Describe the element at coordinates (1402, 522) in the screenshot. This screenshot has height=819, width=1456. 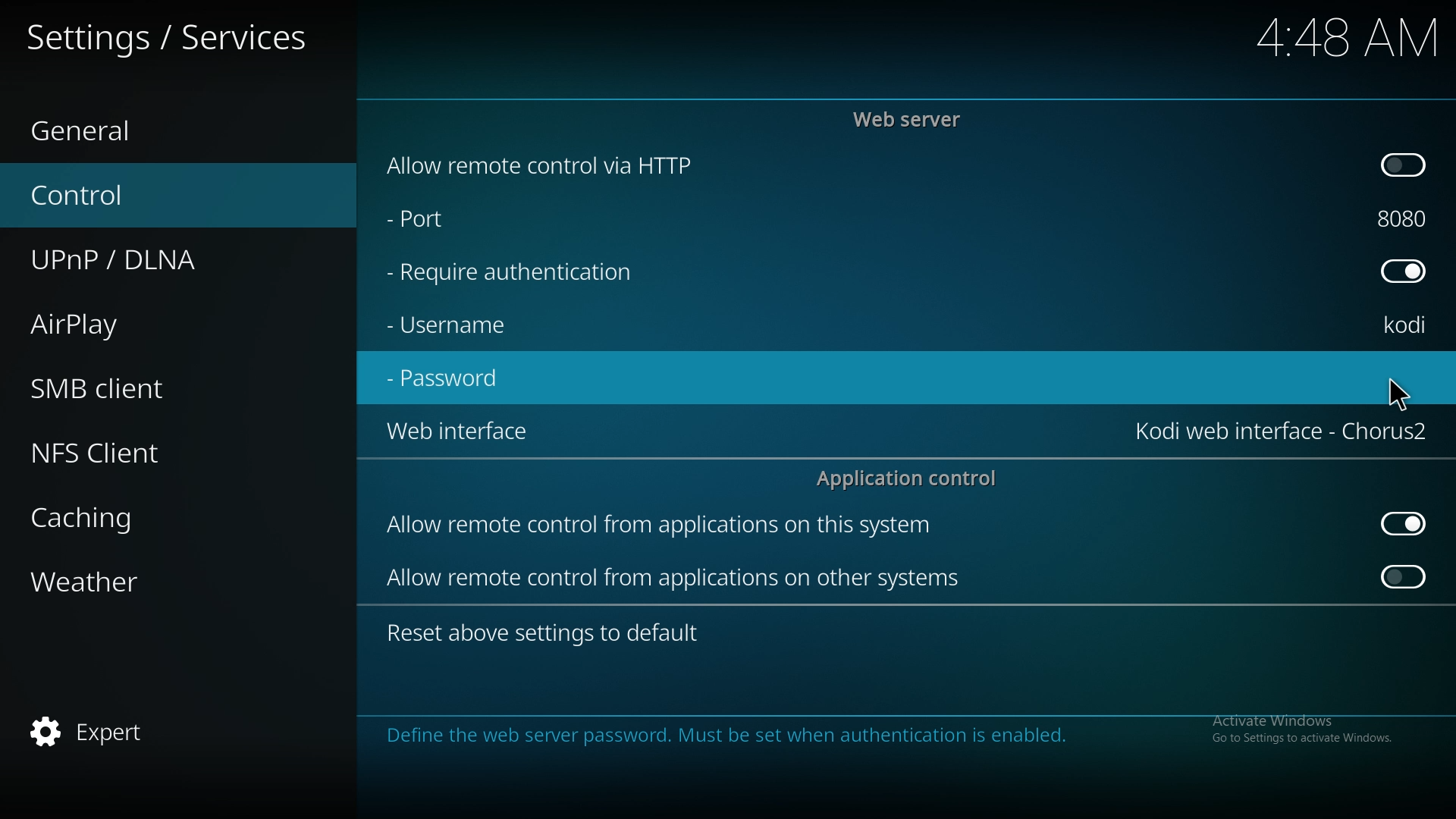
I see `off` at that location.